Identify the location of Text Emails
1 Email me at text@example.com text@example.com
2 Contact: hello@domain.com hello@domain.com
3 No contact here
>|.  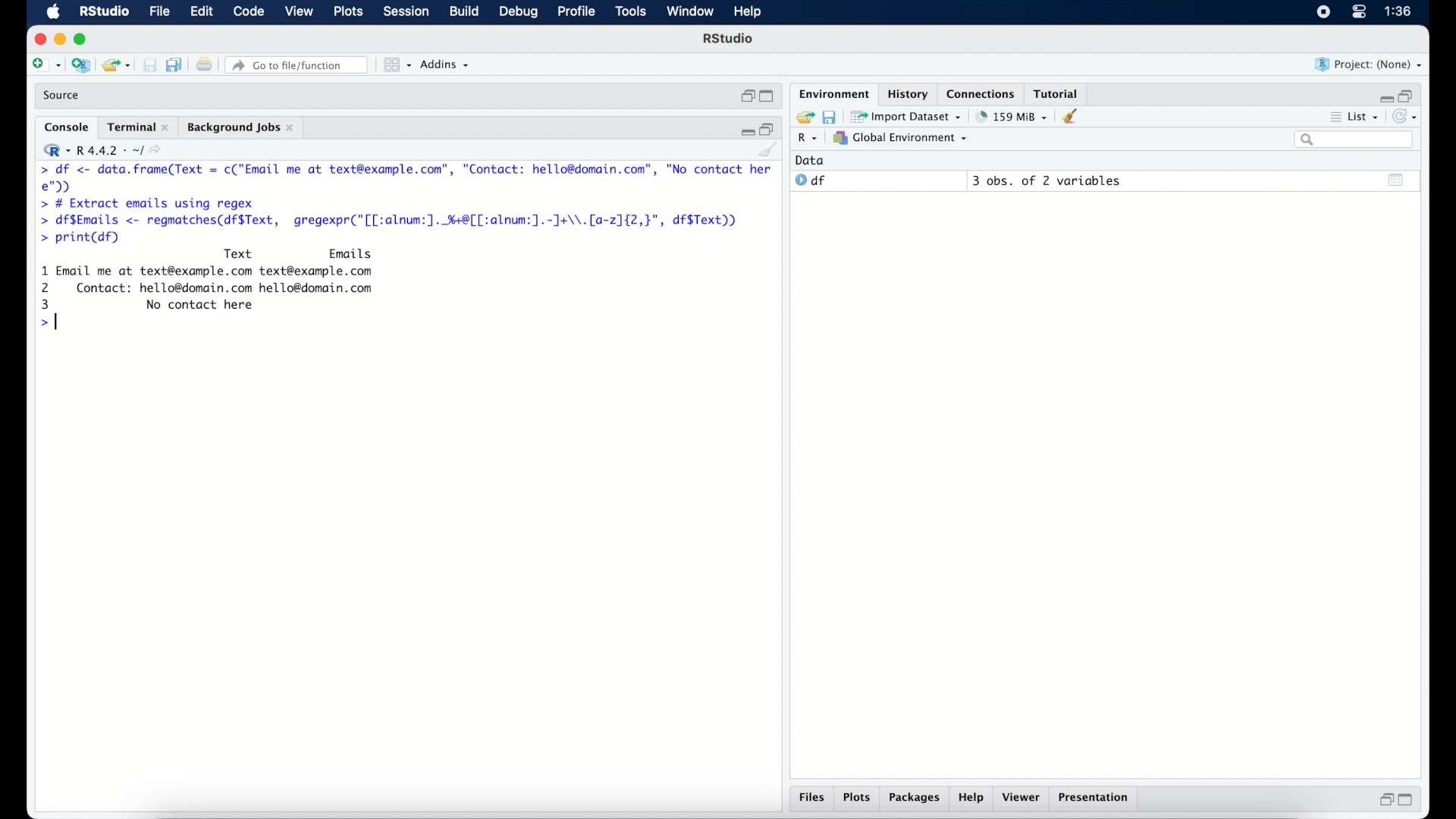
(218, 289).